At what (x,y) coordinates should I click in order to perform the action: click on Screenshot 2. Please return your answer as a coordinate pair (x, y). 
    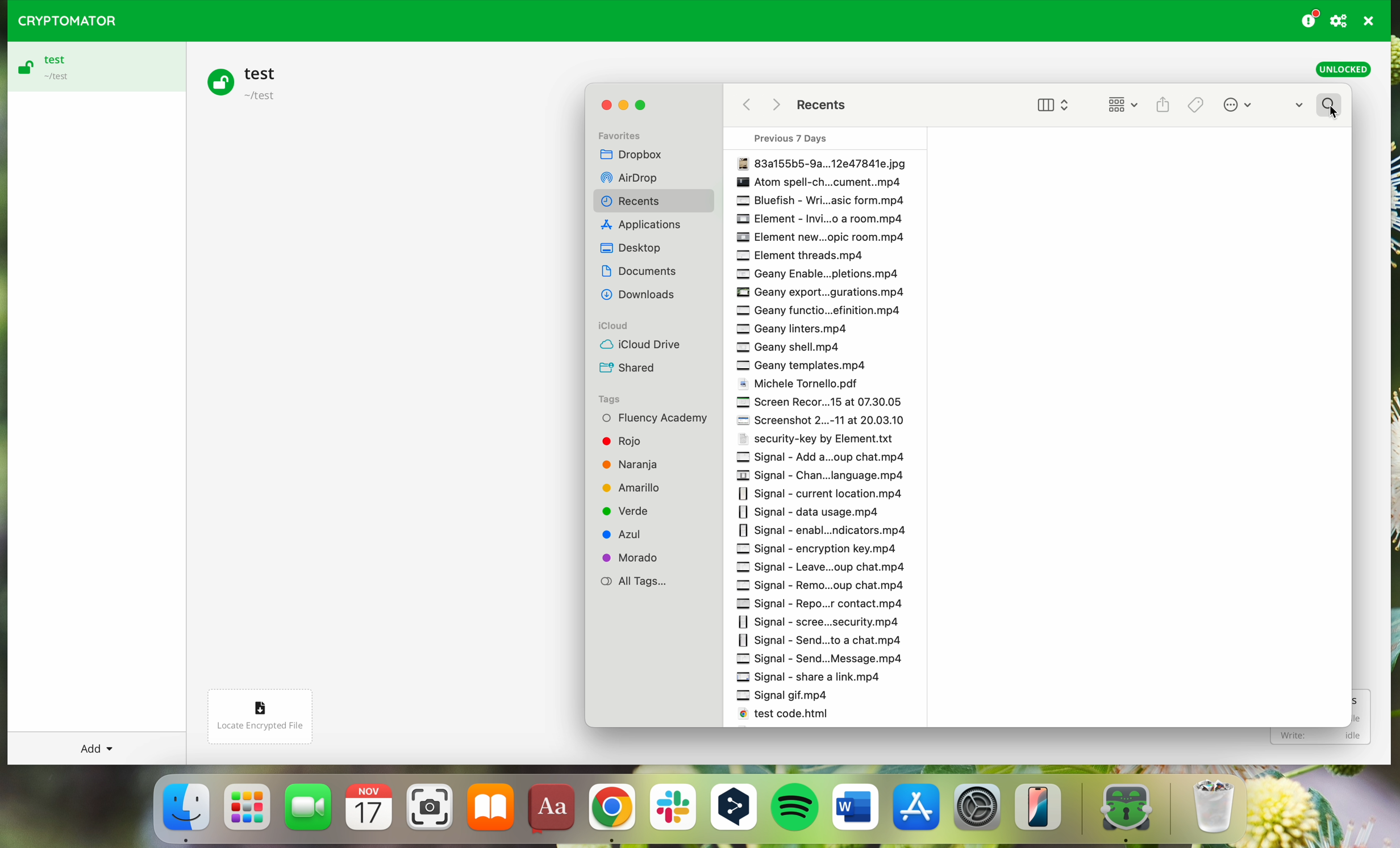
    Looking at the image, I should click on (823, 423).